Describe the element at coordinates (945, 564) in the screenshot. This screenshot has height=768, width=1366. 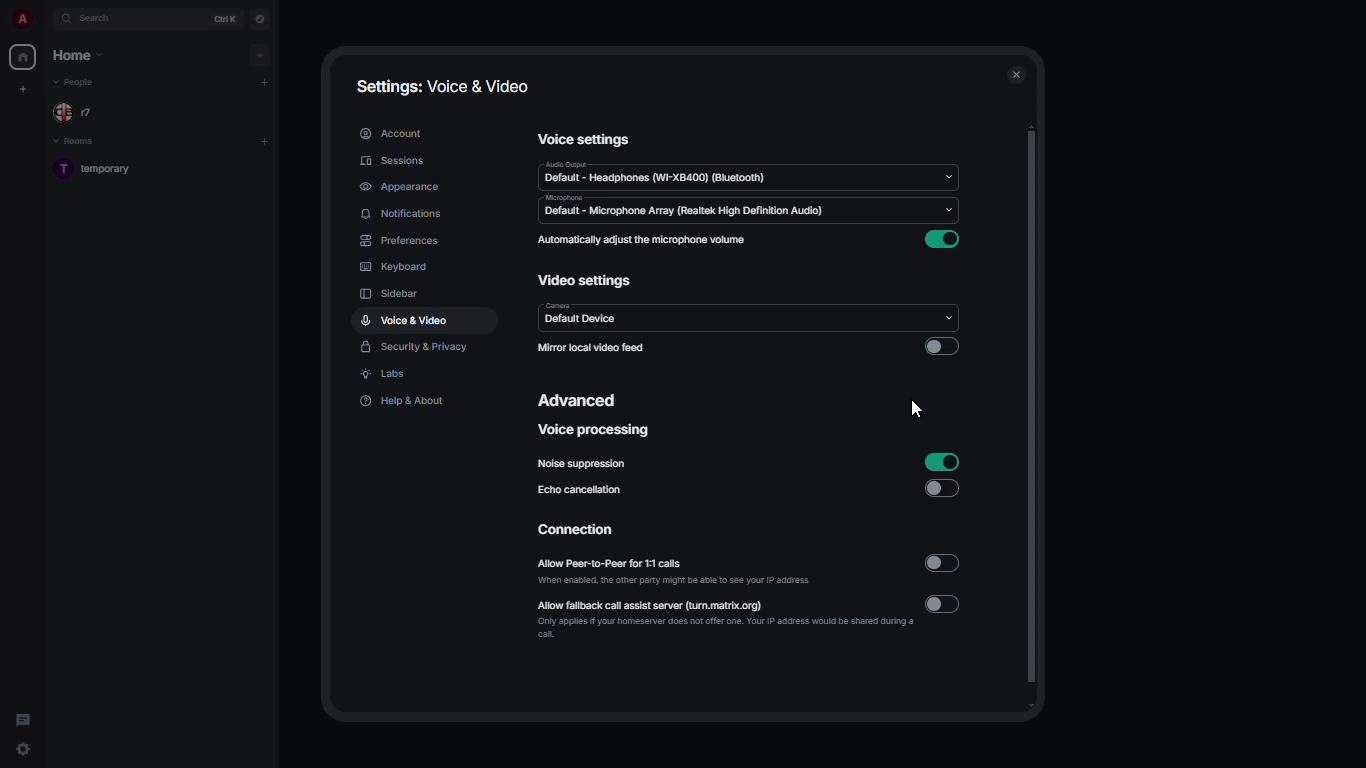
I see `disabled` at that location.